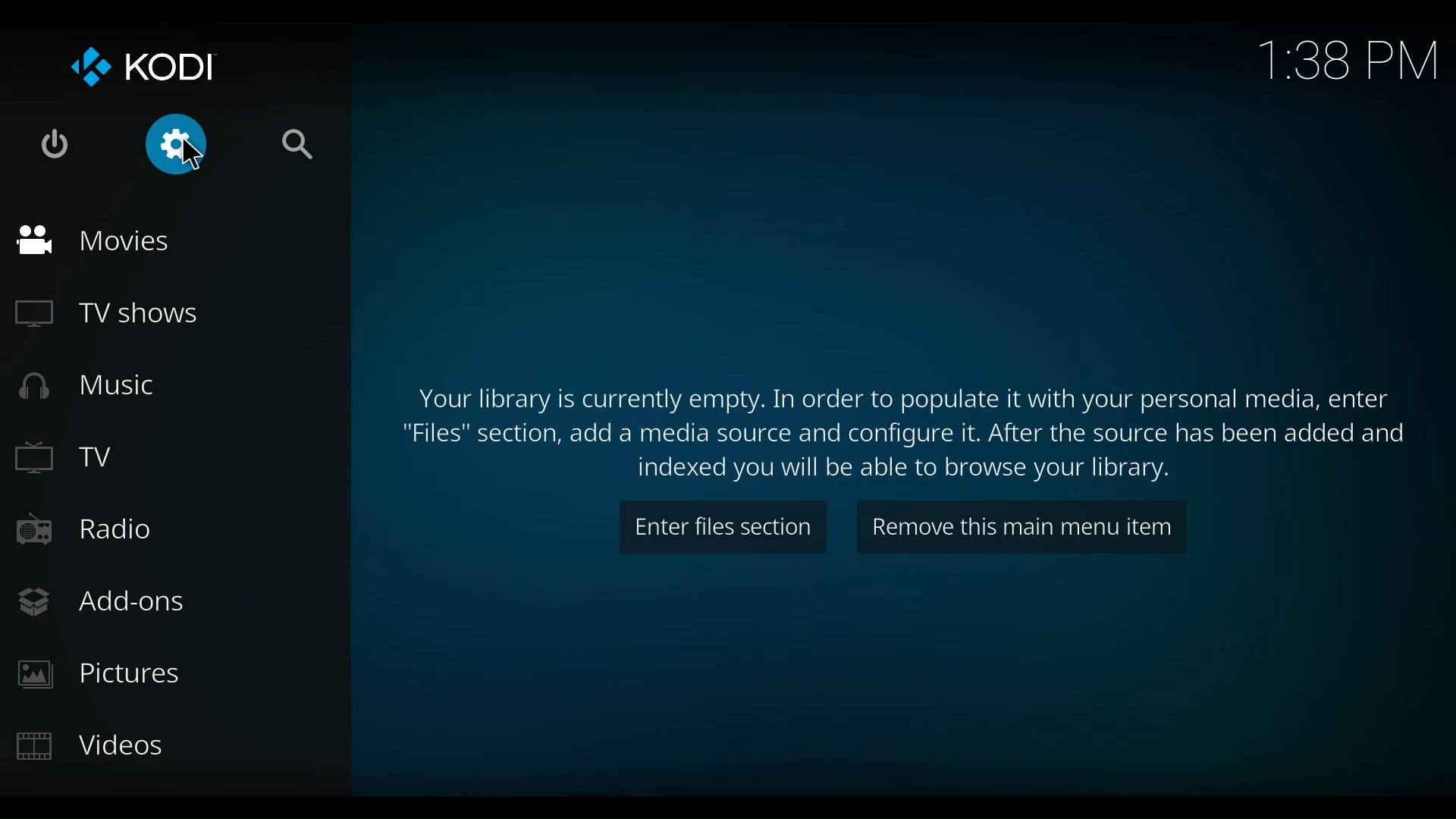  What do you see at coordinates (725, 529) in the screenshot?
I see `Enter files section` at bounding box center [725, 529].